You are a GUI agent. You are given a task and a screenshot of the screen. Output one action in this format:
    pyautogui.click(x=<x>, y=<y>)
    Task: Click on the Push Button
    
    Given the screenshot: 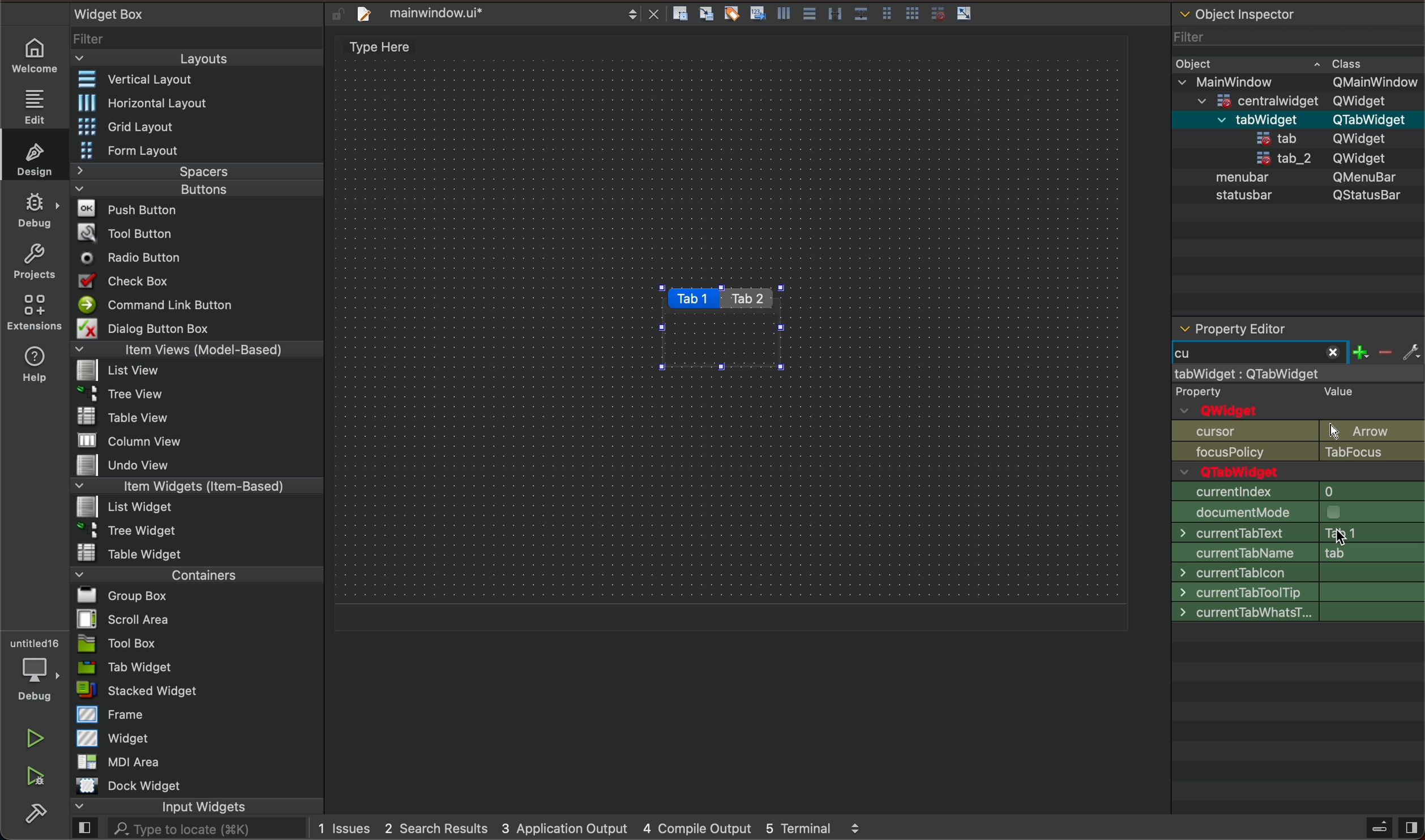 What is the action you would take?
    pyautogui.click(x=119, y=209)
    